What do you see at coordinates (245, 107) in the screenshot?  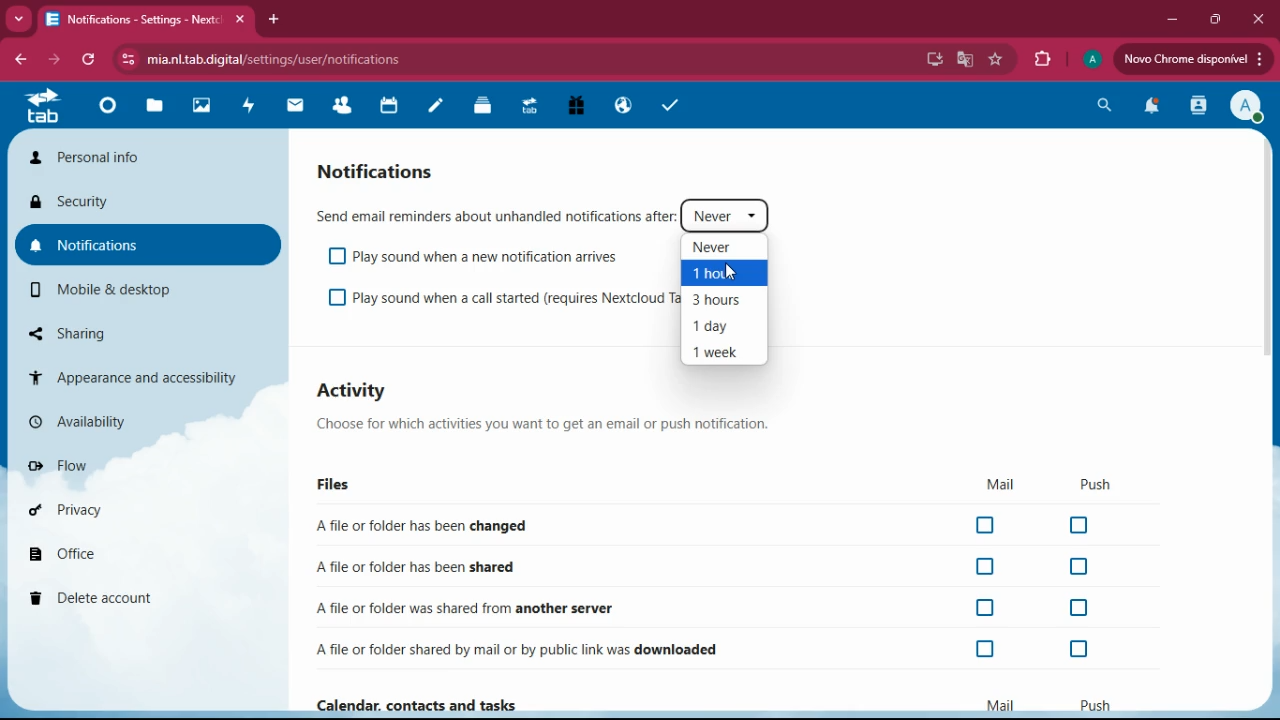 I see `activity` at bounding box center [245, 107].